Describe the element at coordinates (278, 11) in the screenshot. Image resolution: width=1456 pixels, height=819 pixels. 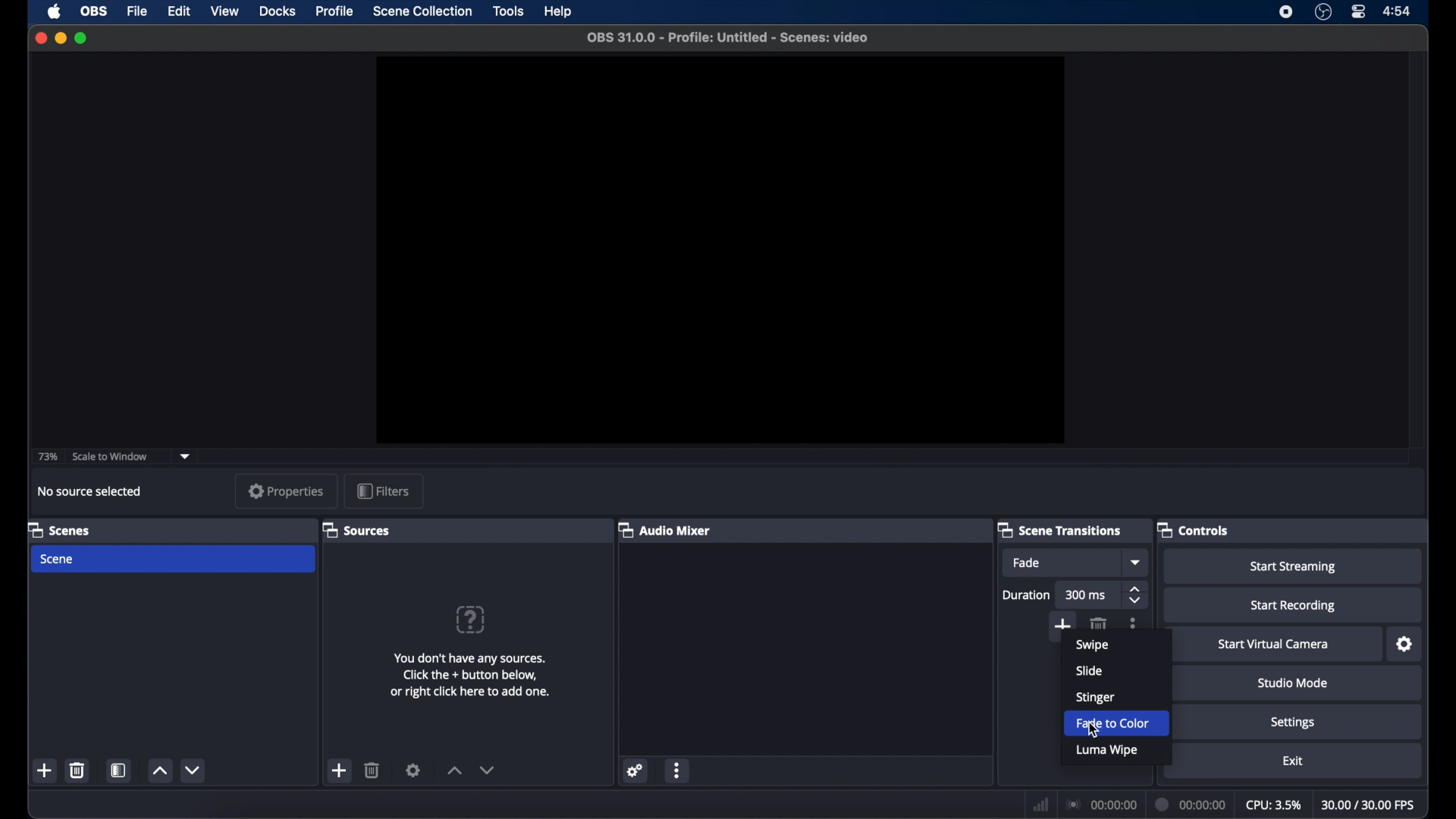
I see `docks` at that location.